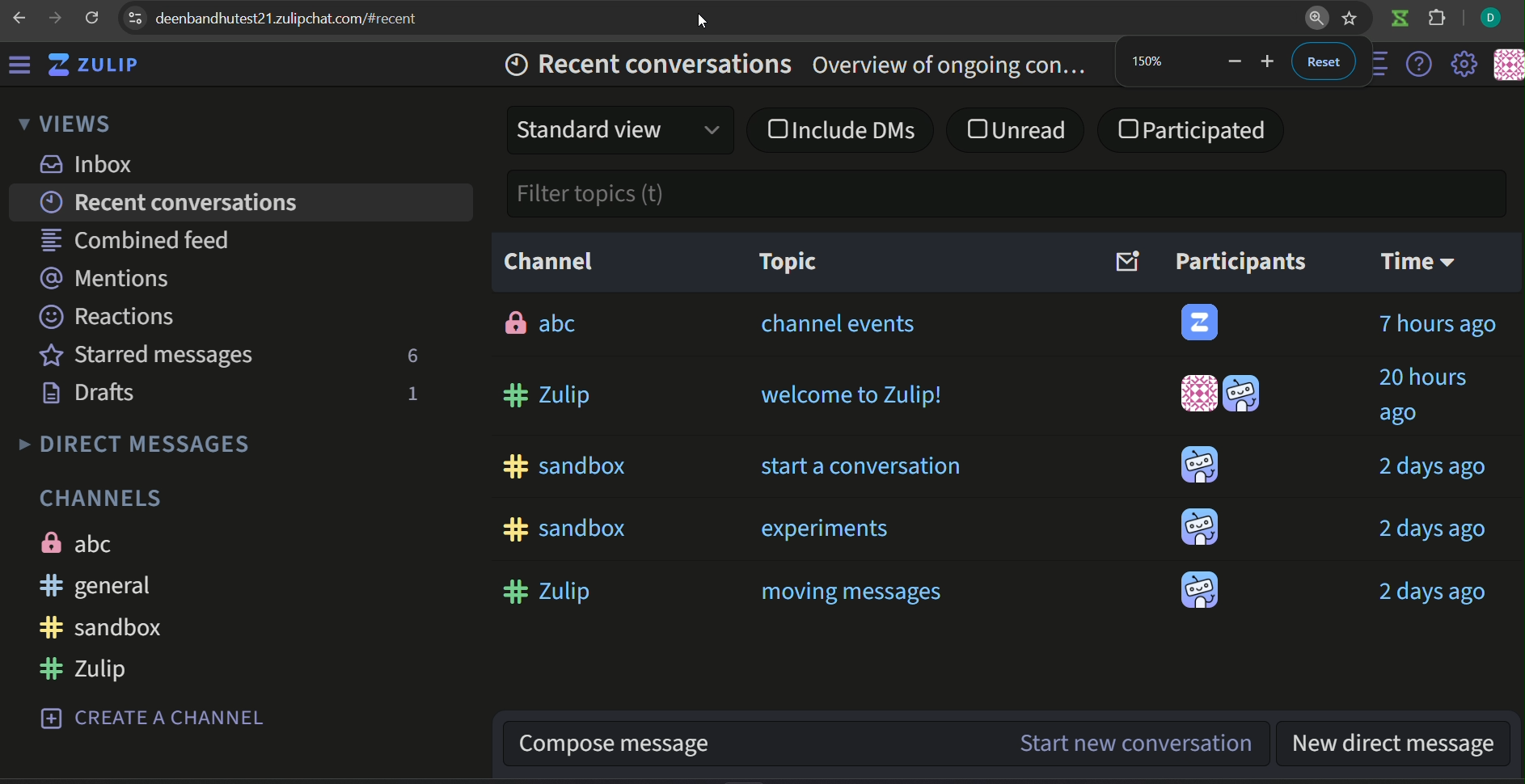 This screenshot has height=784, width=1525. Describe the element at coordinates (1422, 65) in the screenshot. I see `help` at that location.